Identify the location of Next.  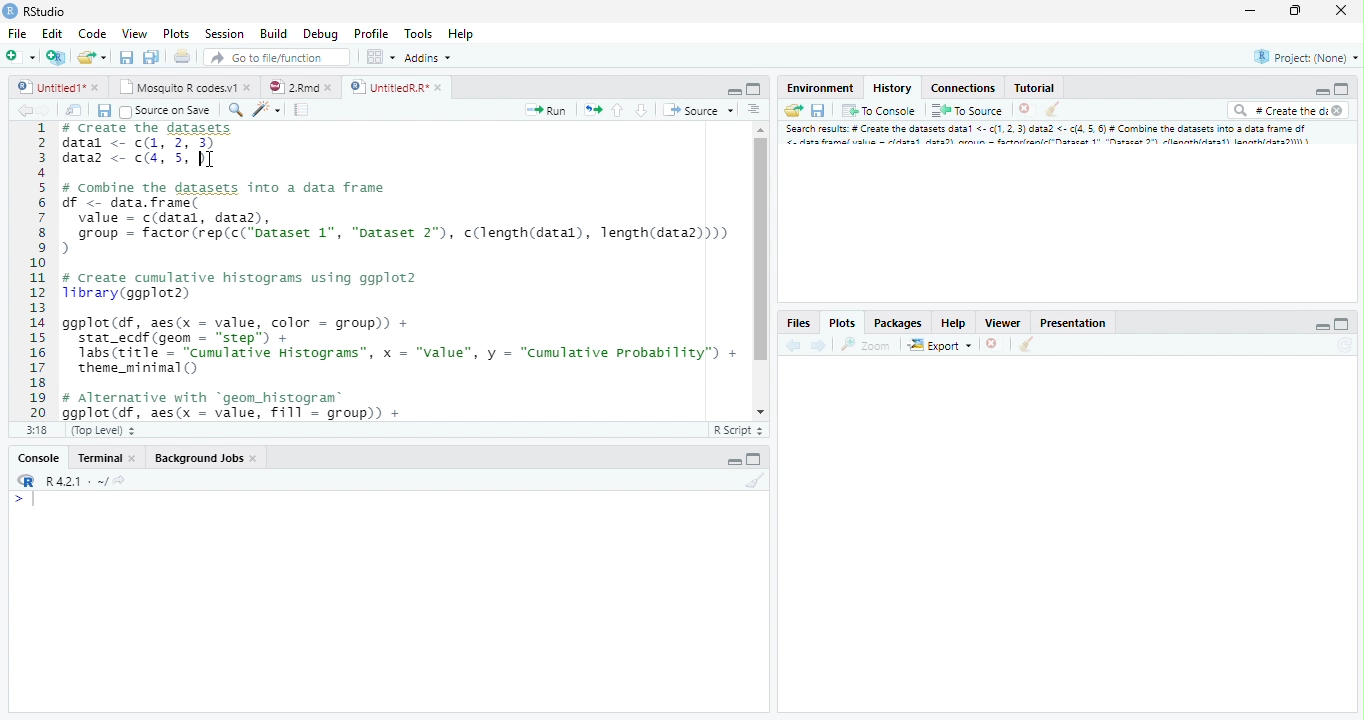
(43, 114).